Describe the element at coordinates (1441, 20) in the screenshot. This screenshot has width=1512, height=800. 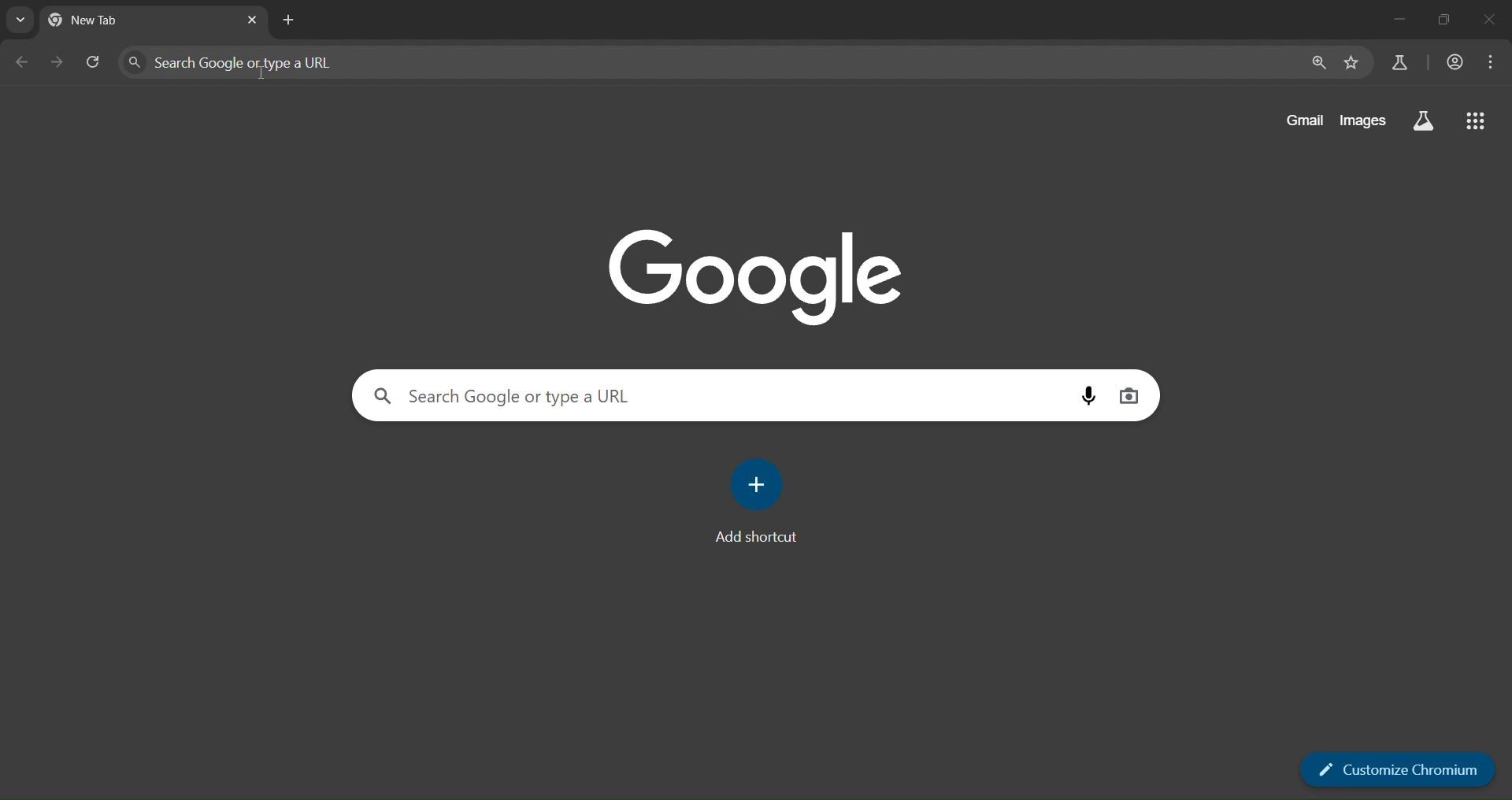
I see `restore down` at that location.